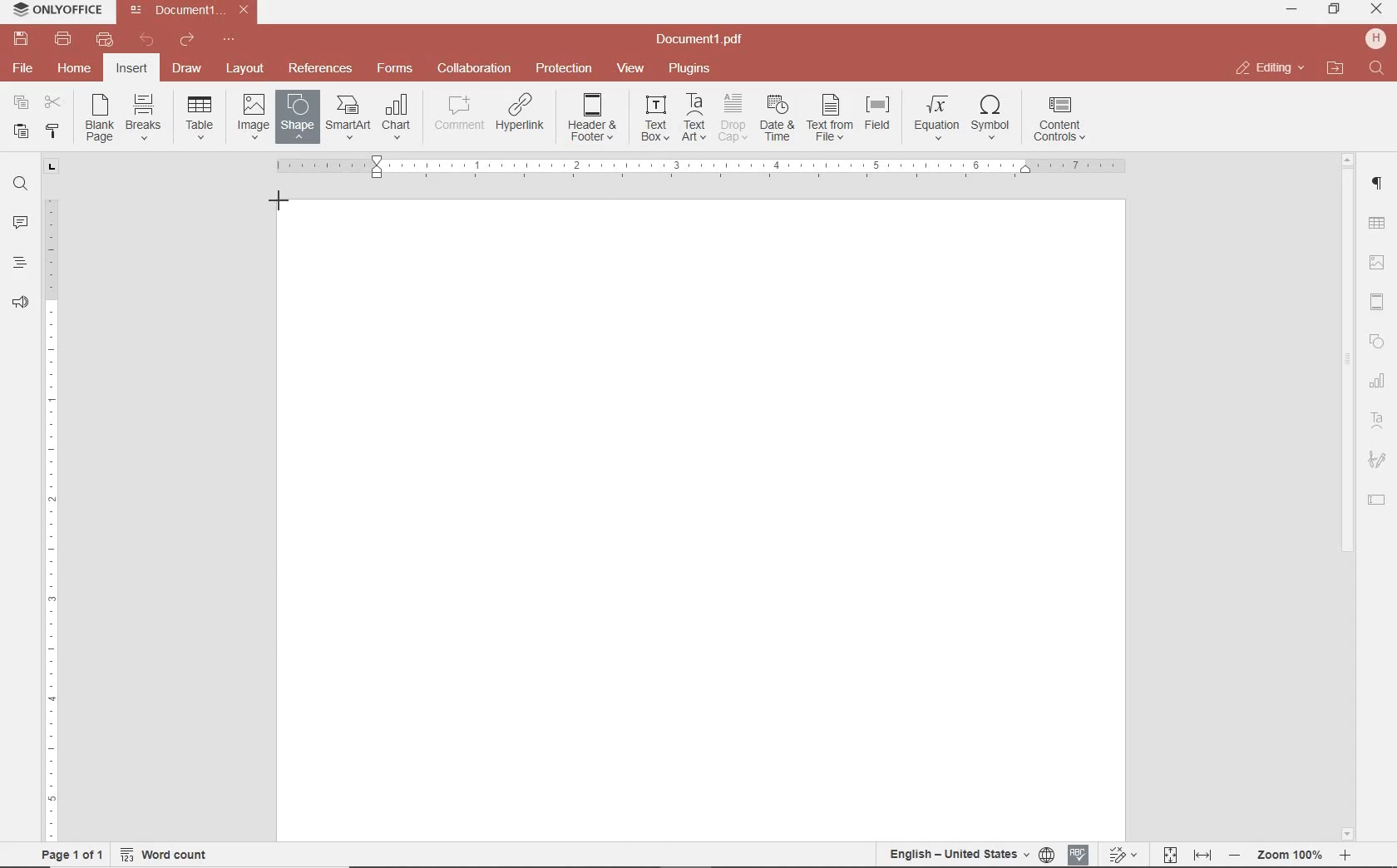 The height and width of the screenshot is (868, 1397). Describe the element at coordinates (879, 113) in the screenshot. I see `INSERT FIELD` at that location.